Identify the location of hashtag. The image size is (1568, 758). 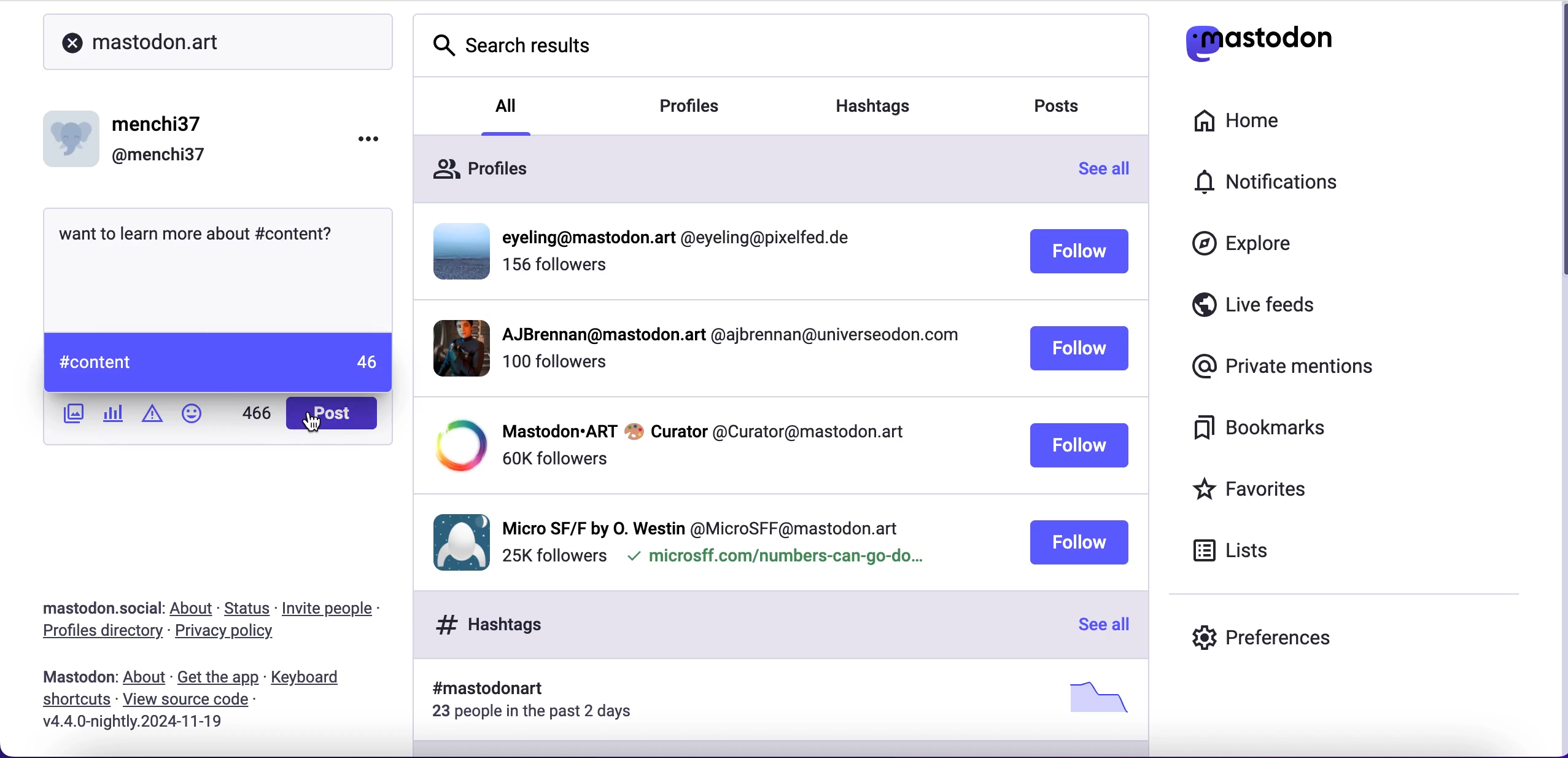
(480, 689).